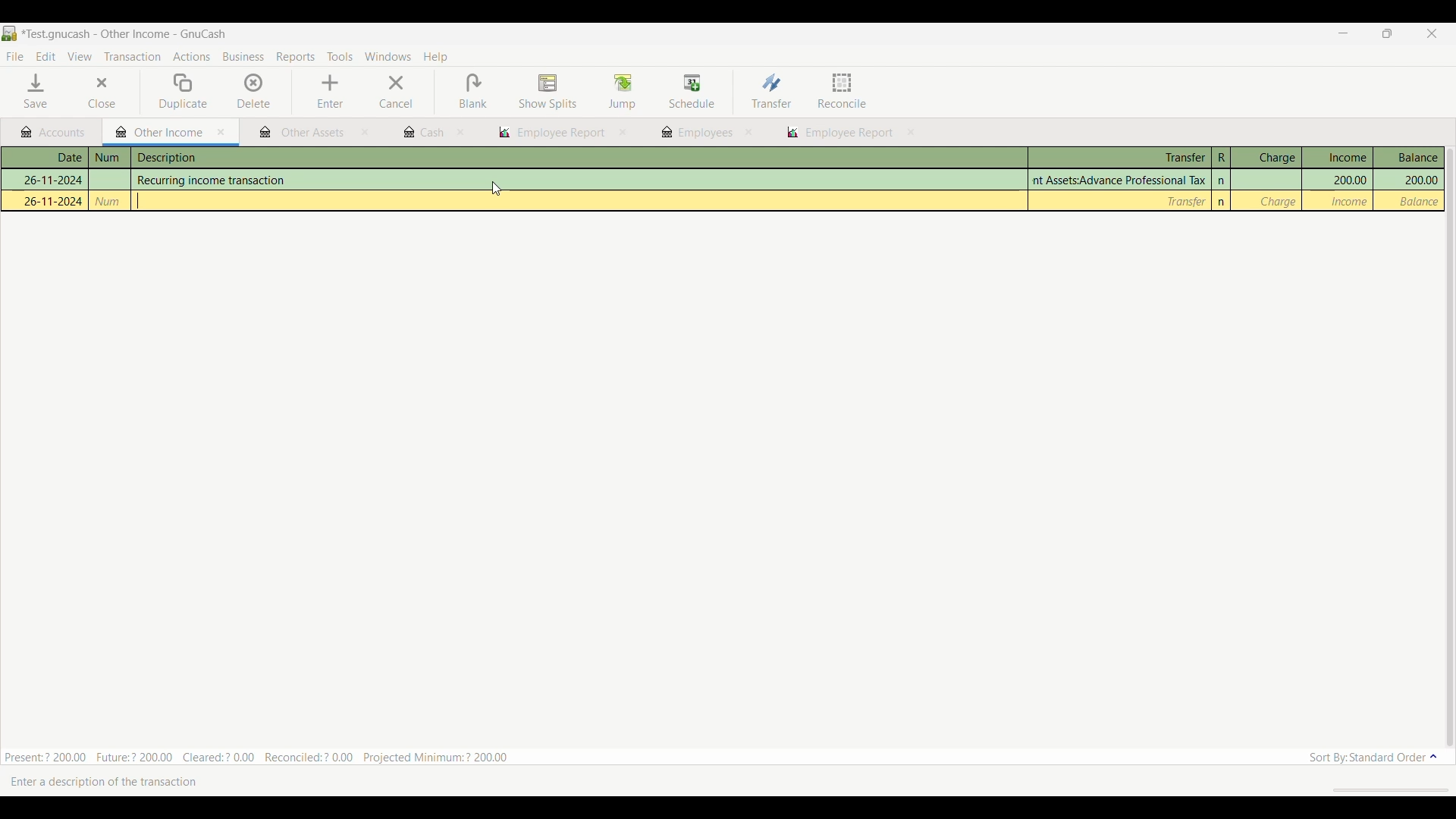 This screenshot has width=1456, height=819. What do you see at coordinates (1266, 158) in the screenshot?
I see `Charge column` at bounding box center [1266, 158].